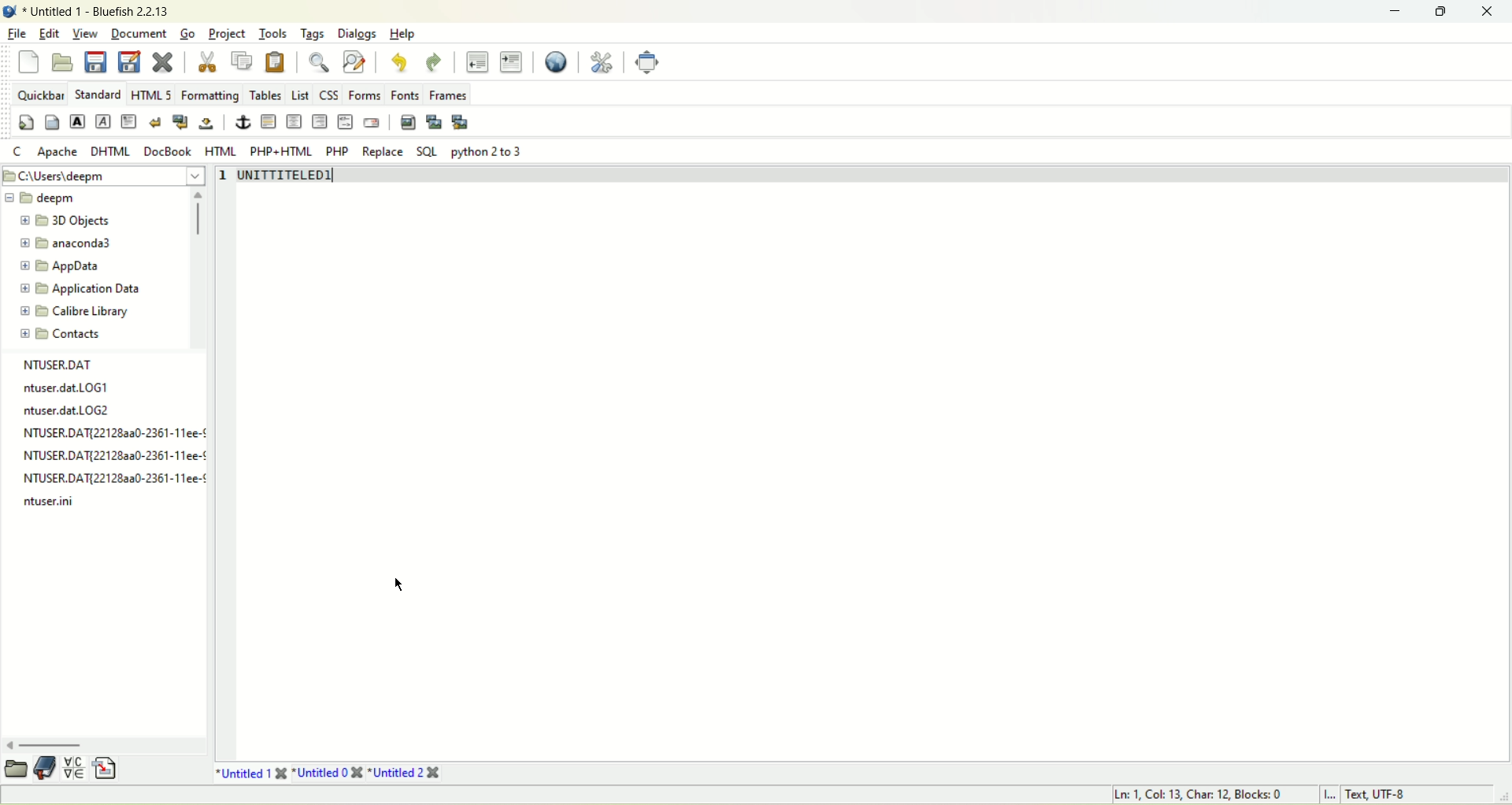 Image resolution: width=1512 pixels, height=805 pixels. I want to click on edit, so click(47, 34).